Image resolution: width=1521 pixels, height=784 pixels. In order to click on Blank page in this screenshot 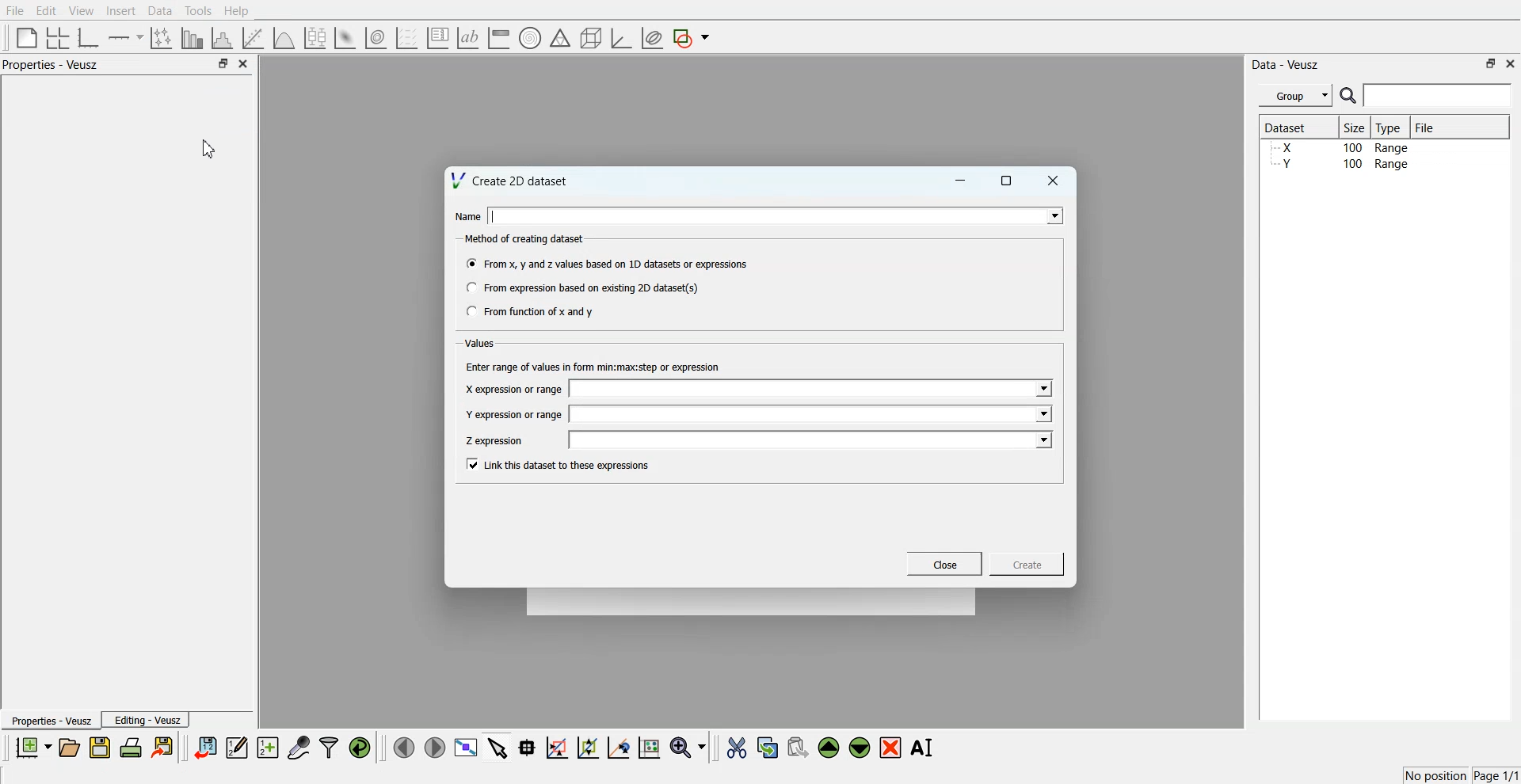, I will do `click(27, 37)`.